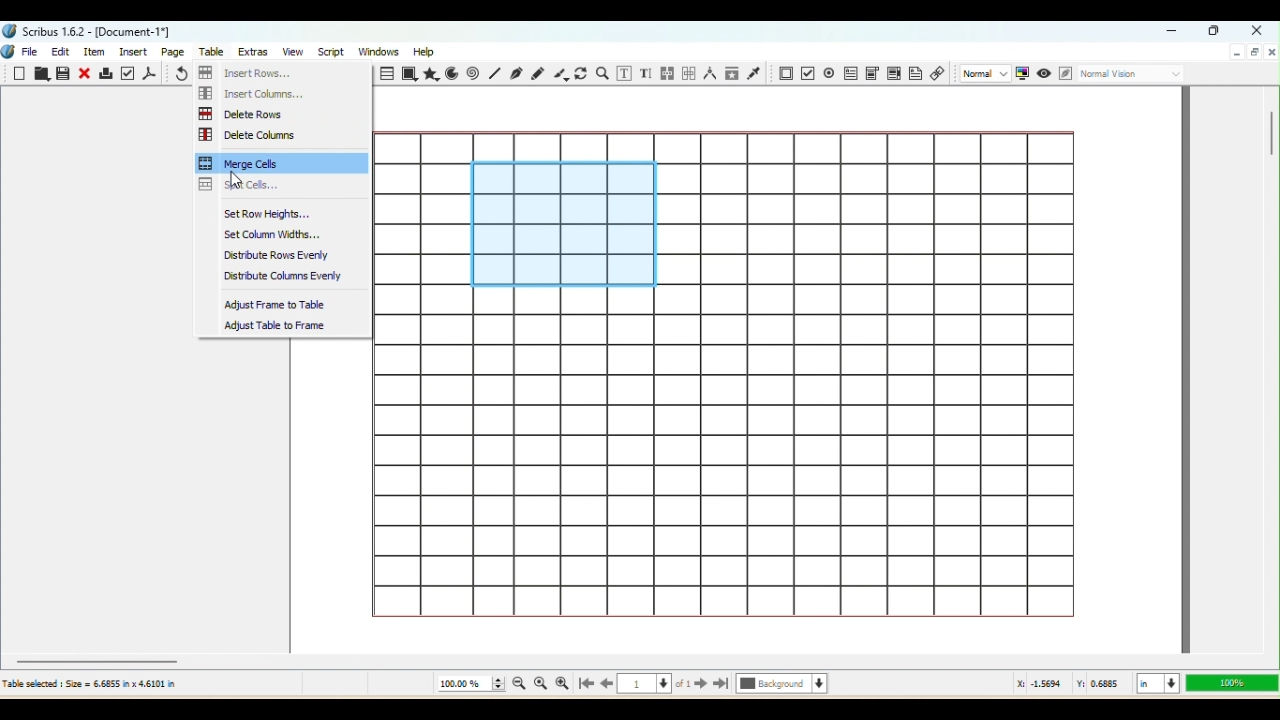  Describe the element at coordinates (581, 74) in the screenshot. I see `Rotate item` at that location.